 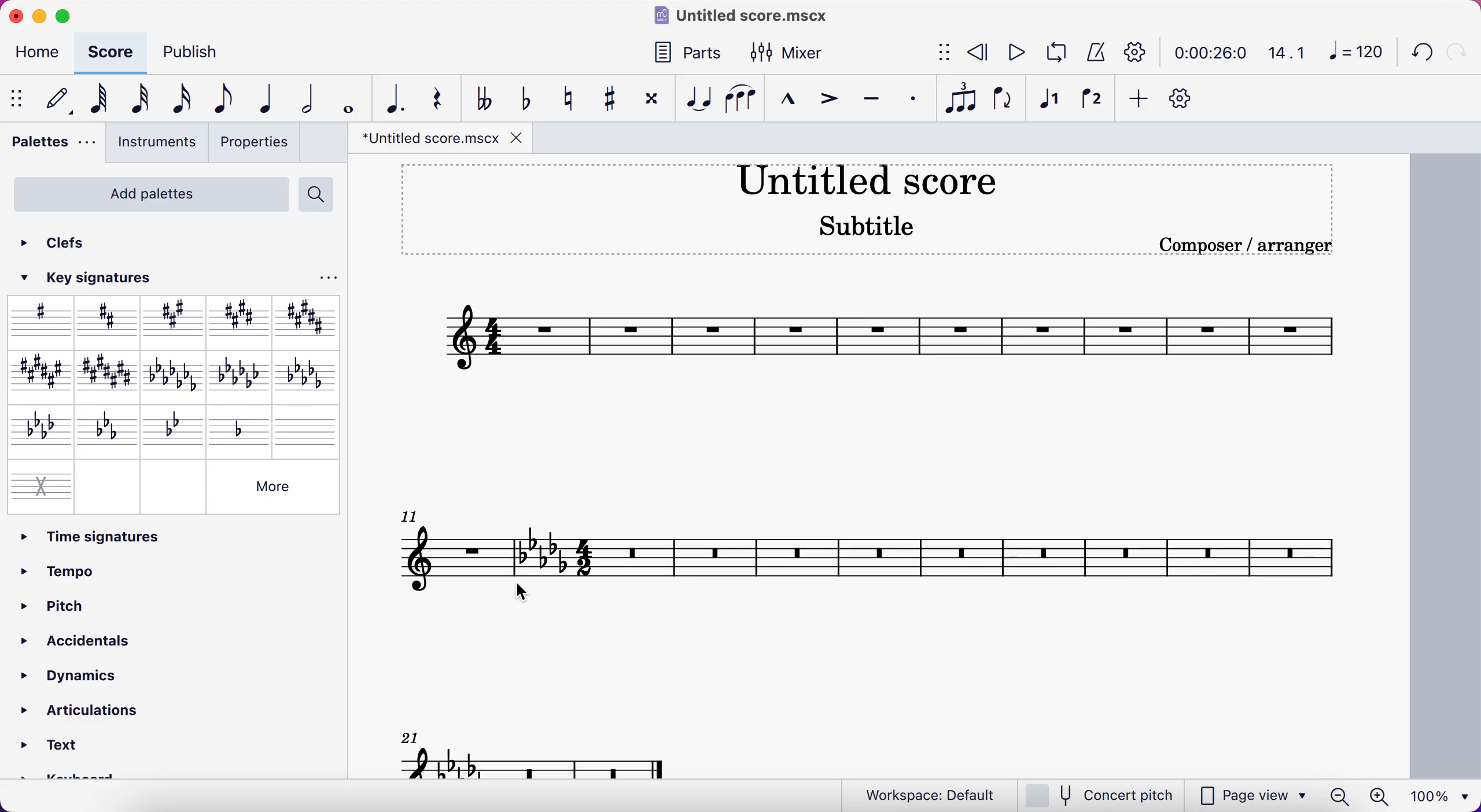 I want to click on 64th note, so click(x=101, y=102).